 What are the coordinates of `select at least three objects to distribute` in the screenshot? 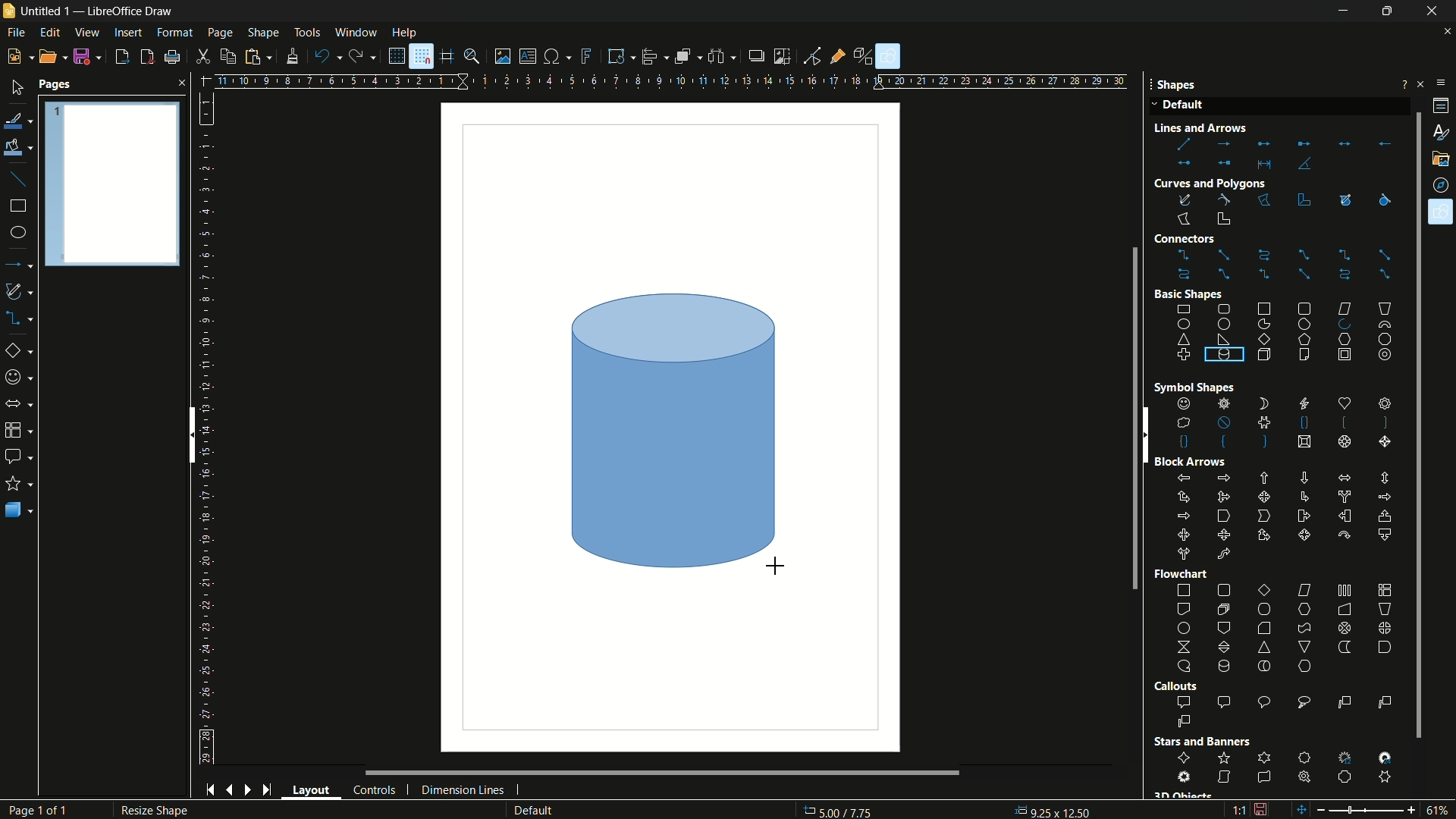 It's located at (723, 57).